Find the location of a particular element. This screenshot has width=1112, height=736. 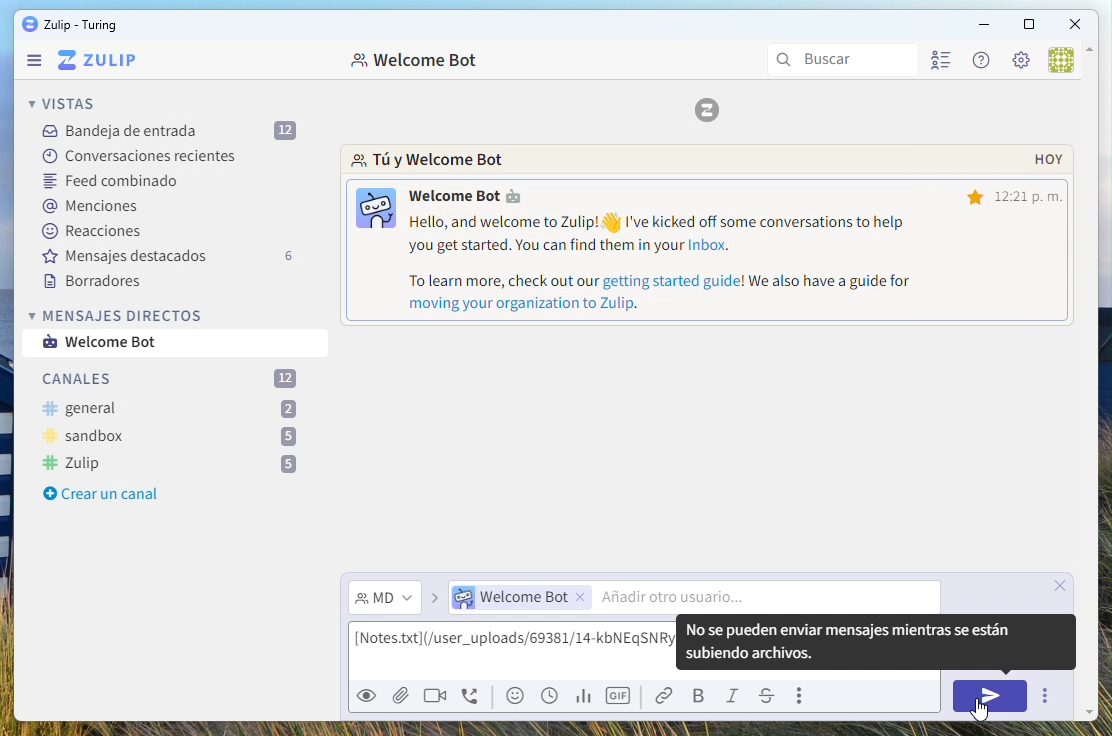

General is located at coordinates (169, 410).